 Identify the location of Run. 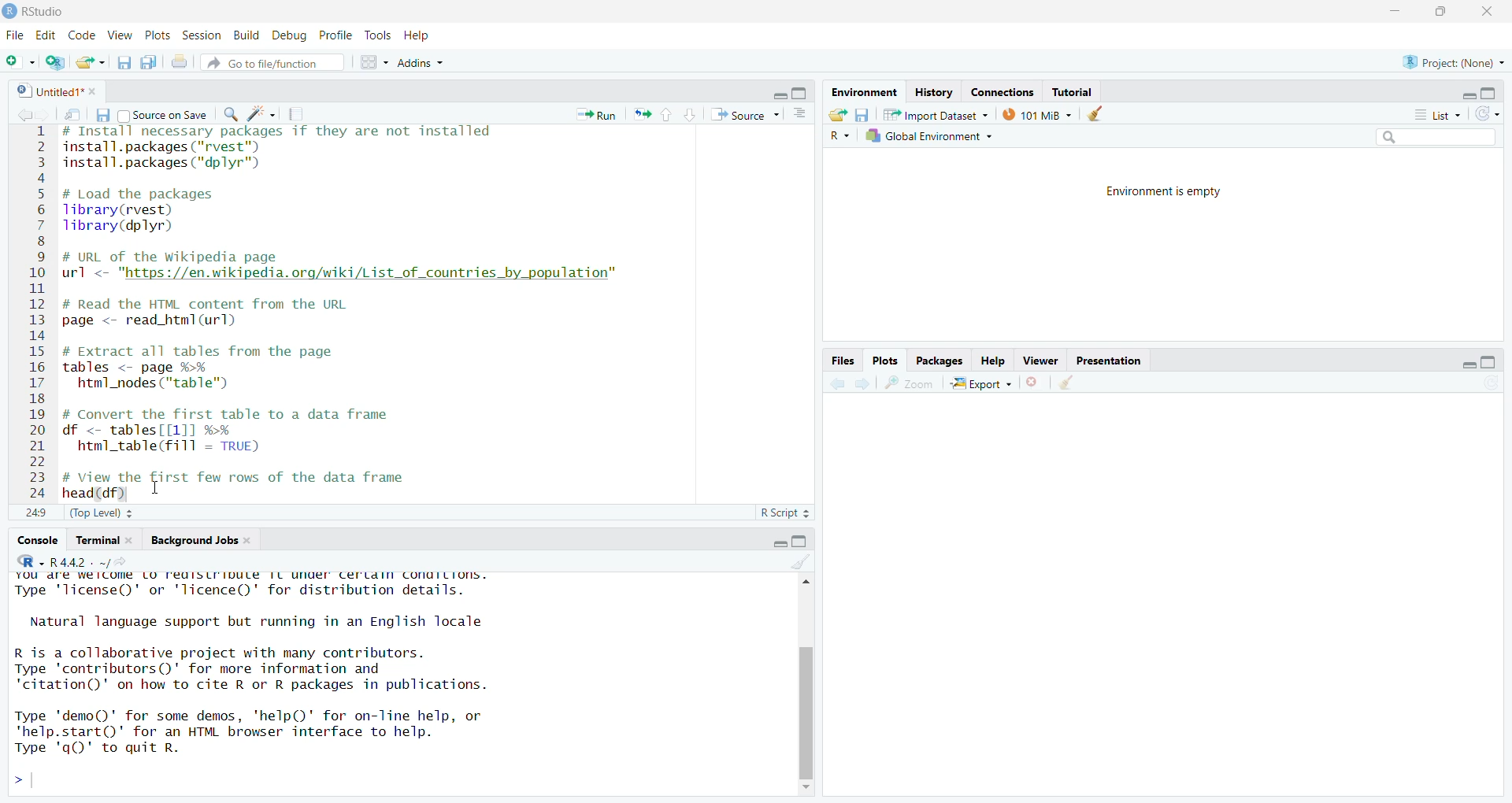
(595, 115).